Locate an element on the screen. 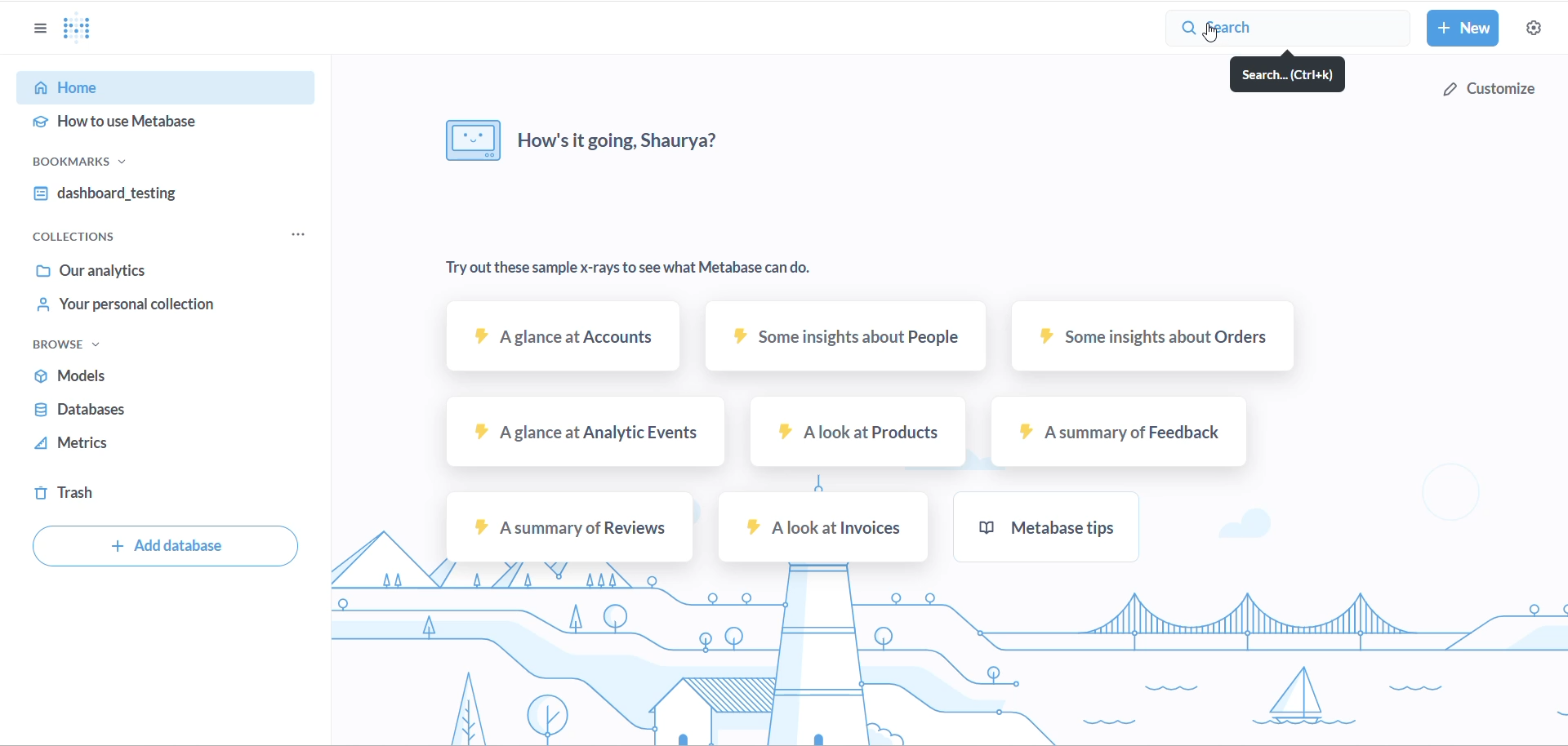 The height and width of the screenshot is (746, 1568). A look at invoices  is located at coordinates (814, 526).